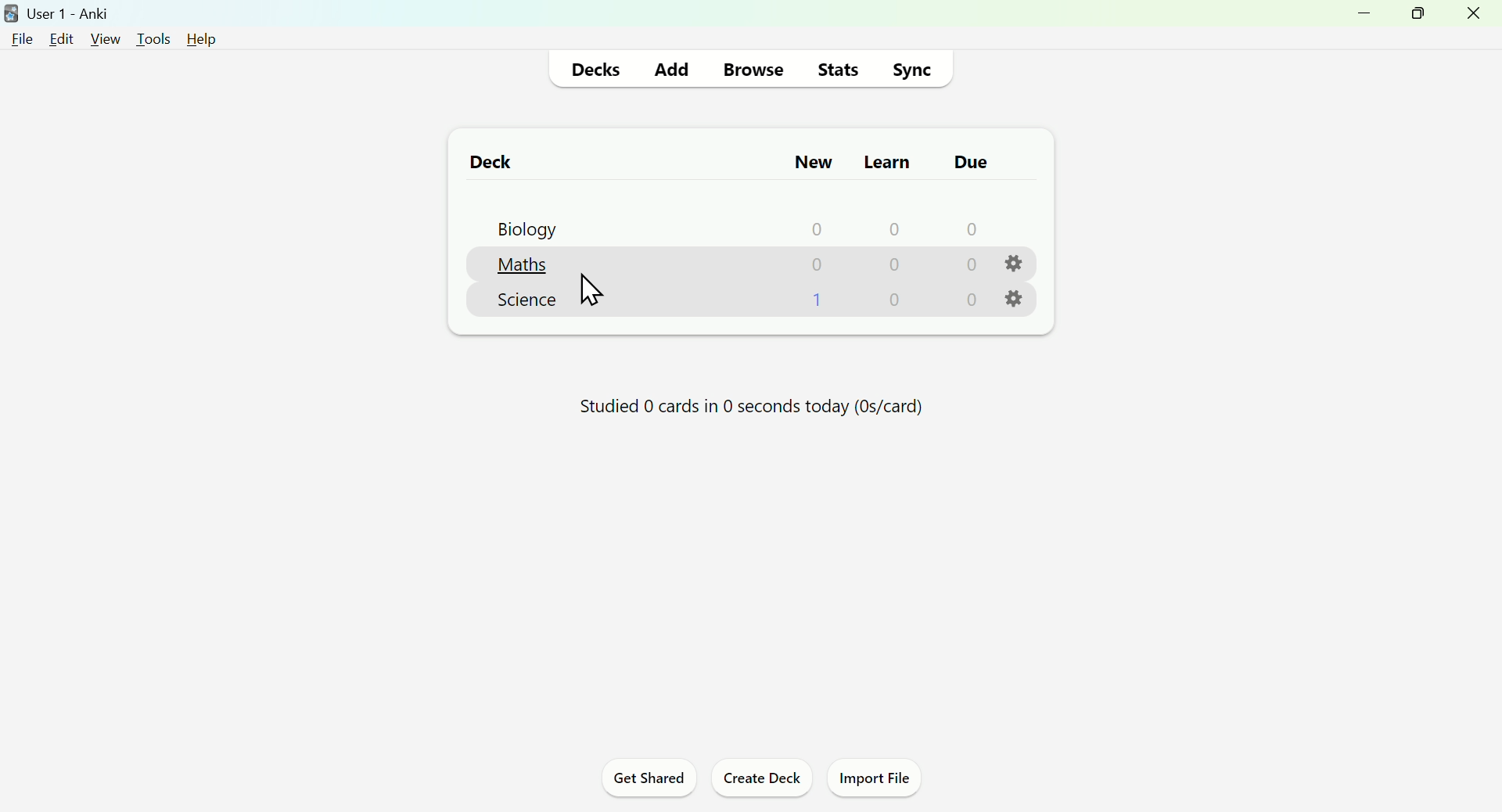  Describe the element at coordinates (751, 67) in the screenshot. I see `Browse` at that location.